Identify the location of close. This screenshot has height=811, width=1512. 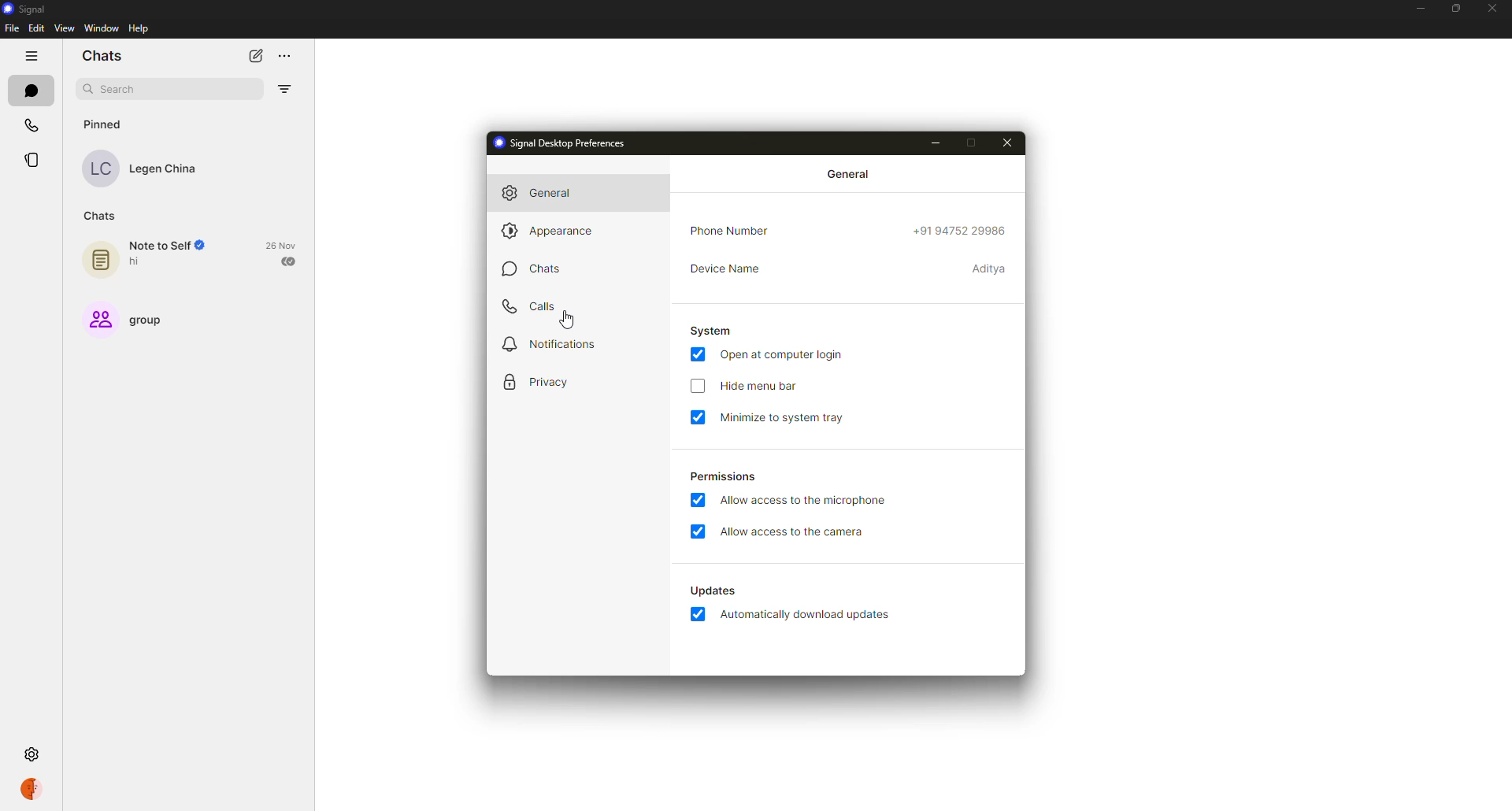
(1491, 8).